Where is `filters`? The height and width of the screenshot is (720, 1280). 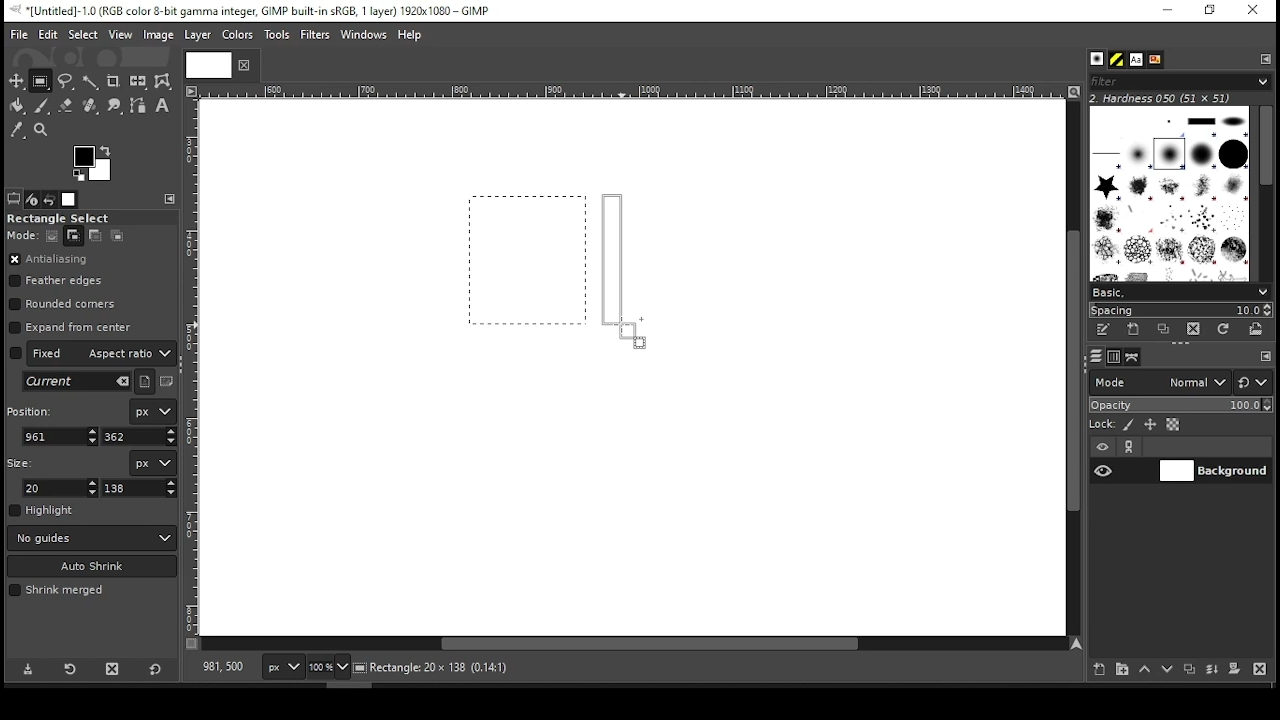 filters is located at coordinates (318, 35).